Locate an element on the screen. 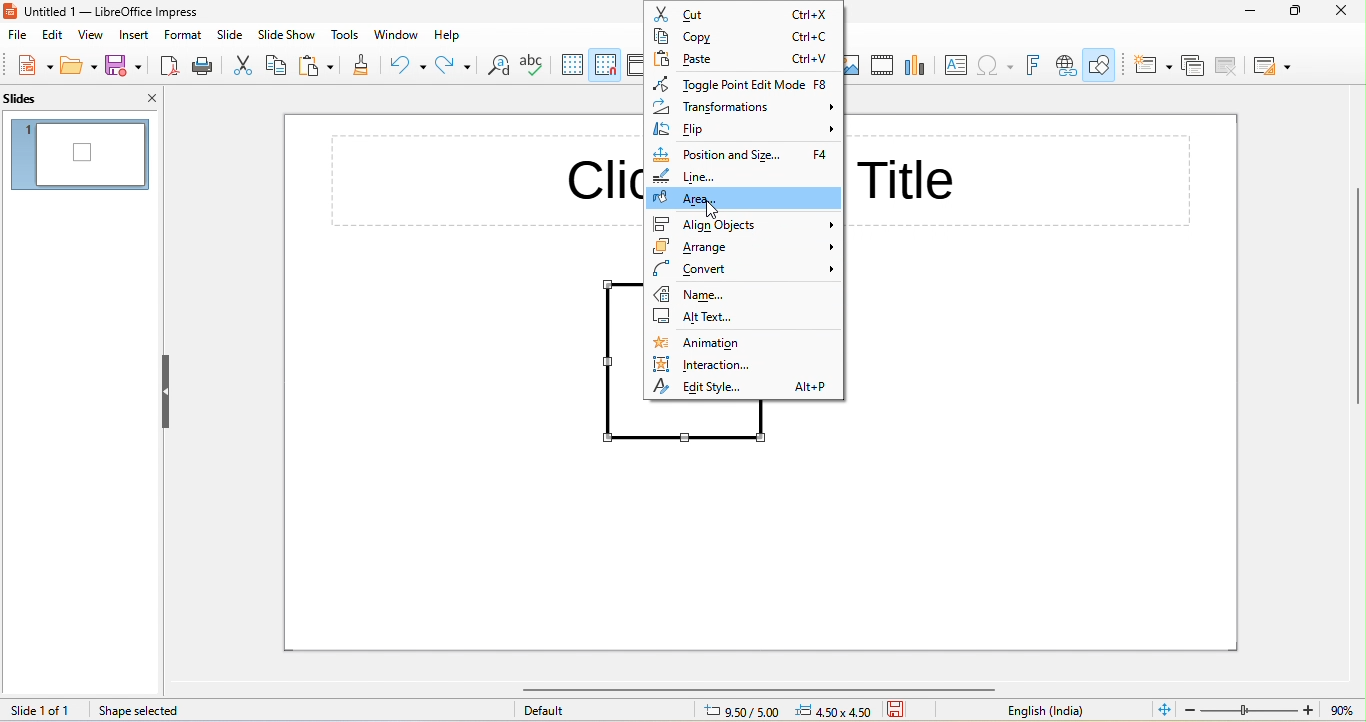  hide is located at coordinates (166, 392).